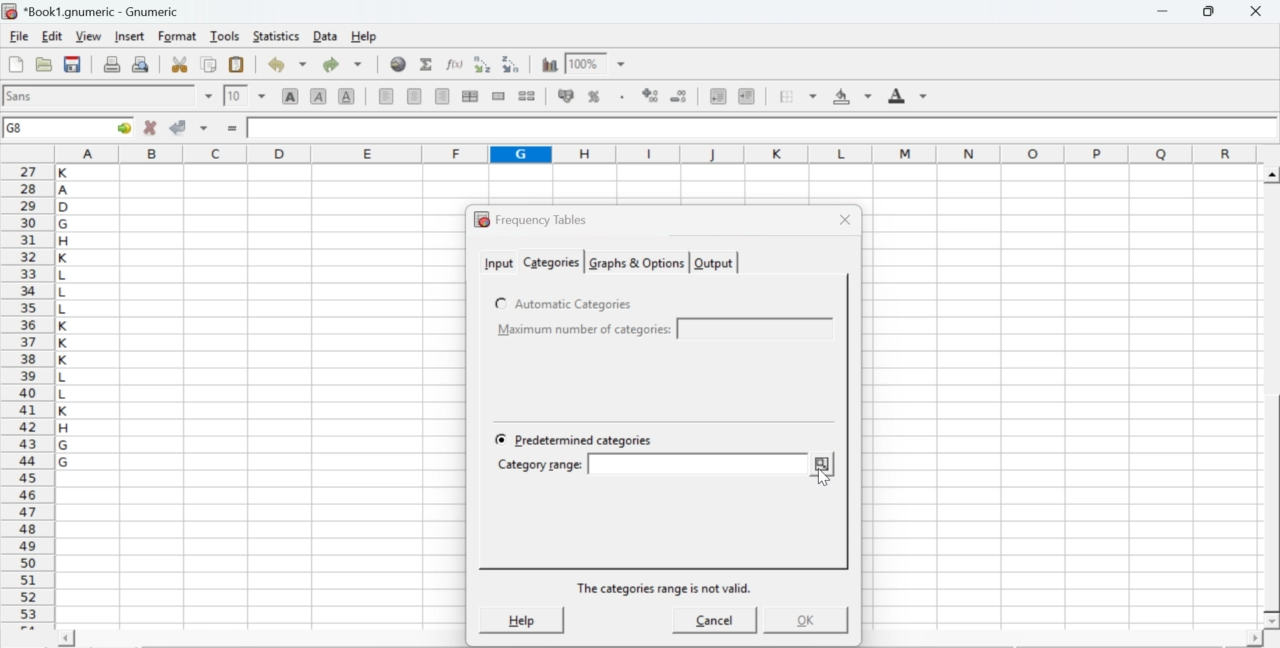 The width and height of the screenshot is (1280, 648). What do you see at coordinates (386, 94) in the screenshot?
I see `align left` at bounding box center [386, 94].